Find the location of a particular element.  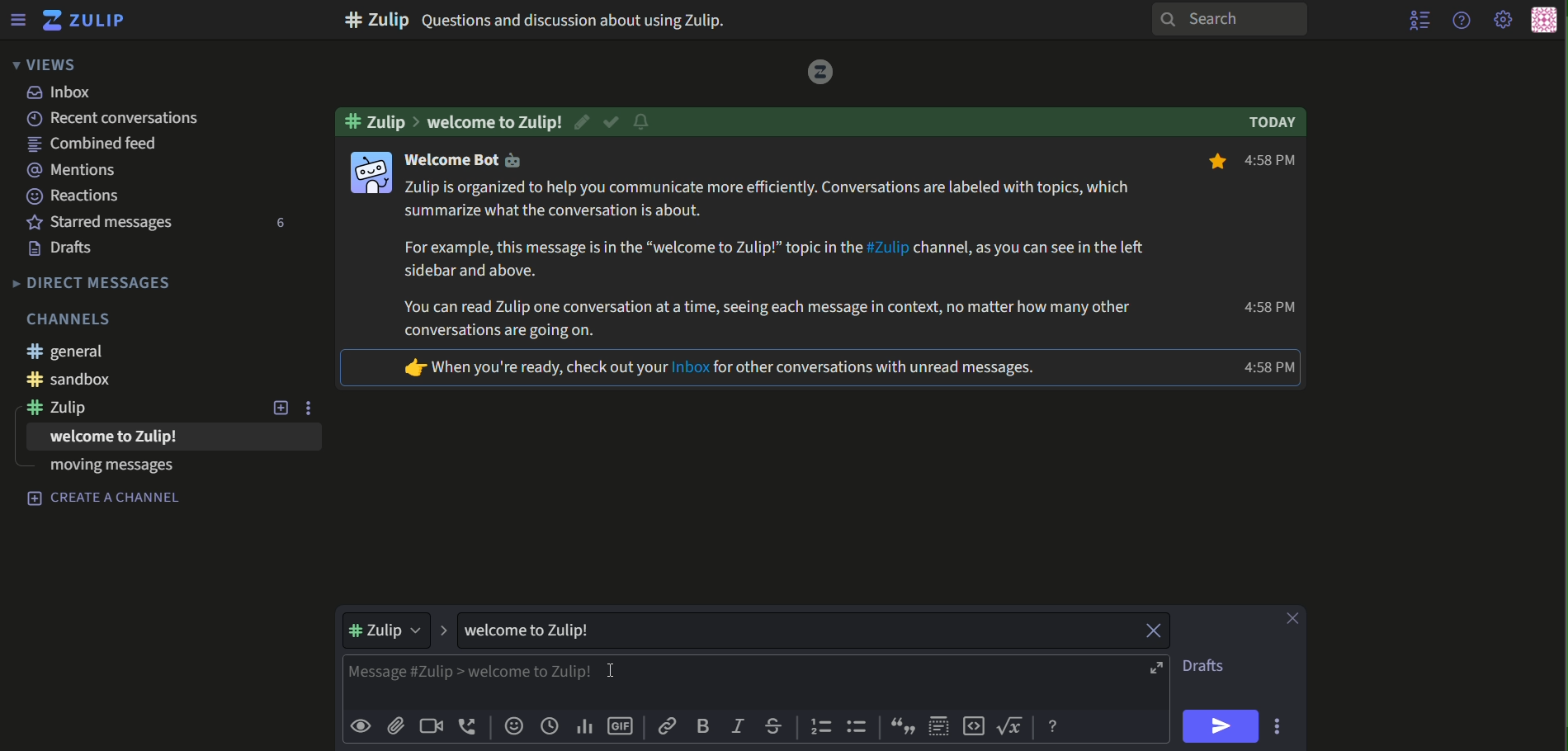

text is located at coordinates (470, 162).